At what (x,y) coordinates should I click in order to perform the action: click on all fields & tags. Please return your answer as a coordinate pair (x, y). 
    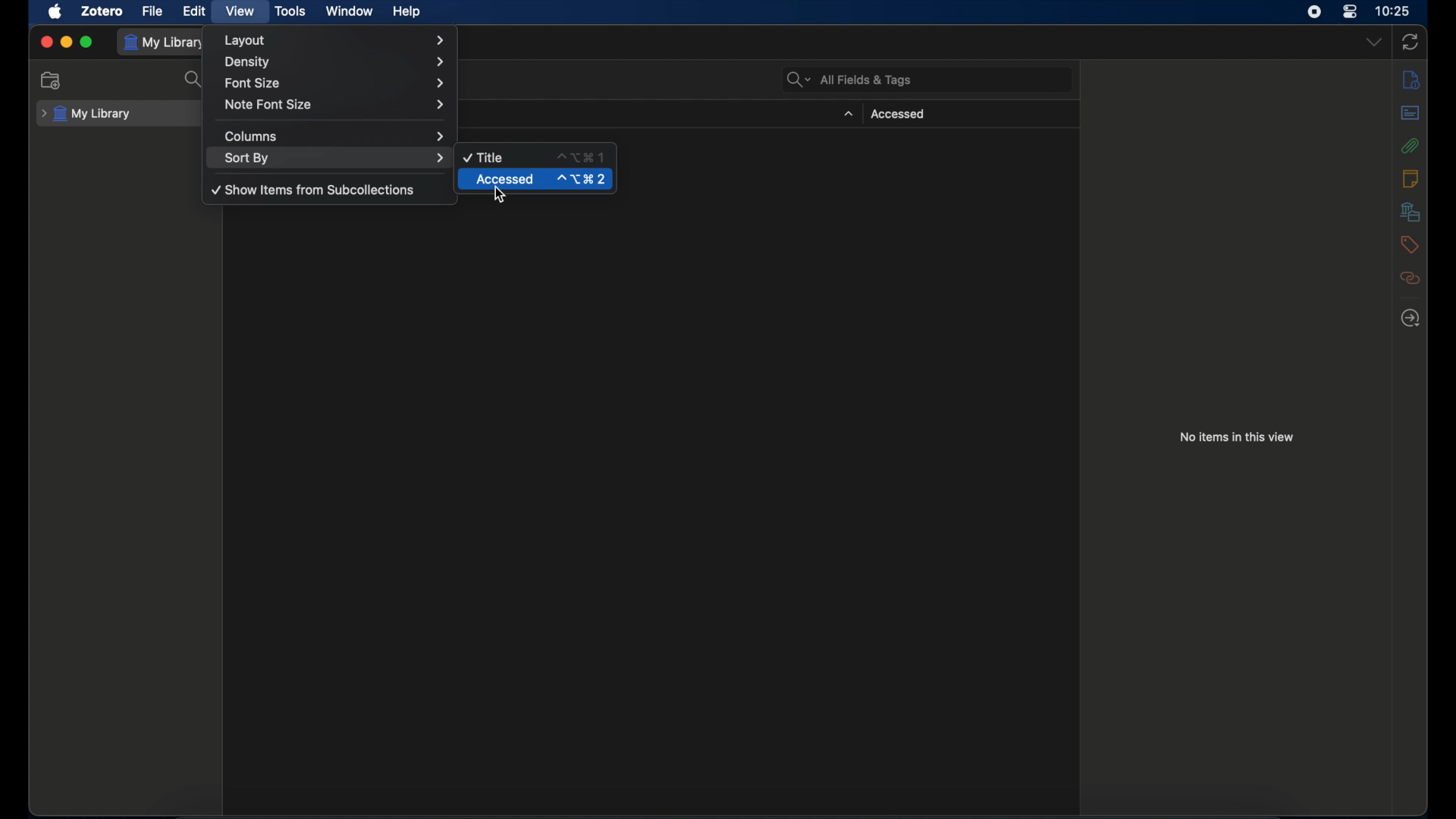
    Looking at the image, I should click on (848, 80).